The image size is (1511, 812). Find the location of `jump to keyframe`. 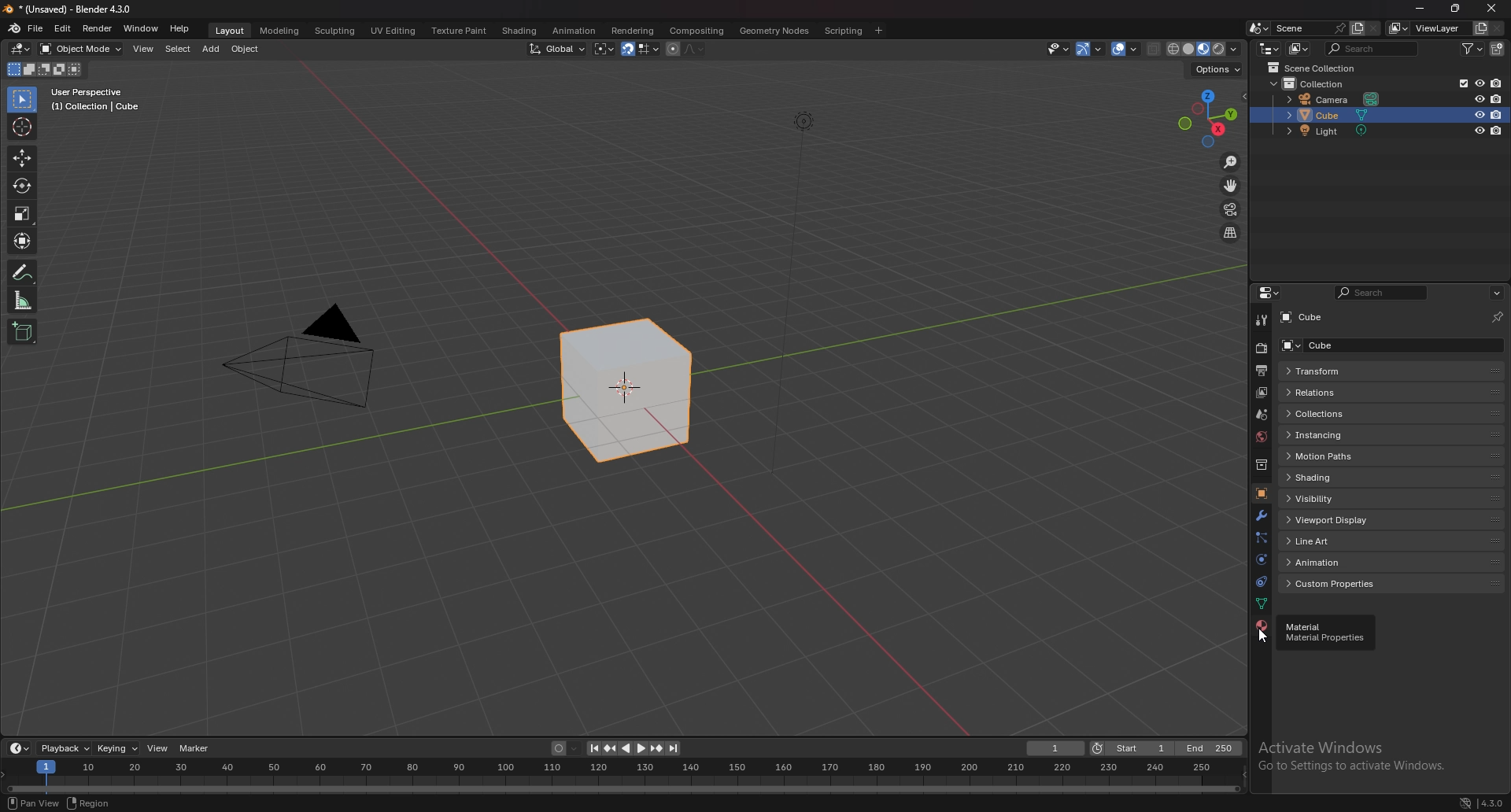

jump to keyframe is located at coordinates (657, 748).